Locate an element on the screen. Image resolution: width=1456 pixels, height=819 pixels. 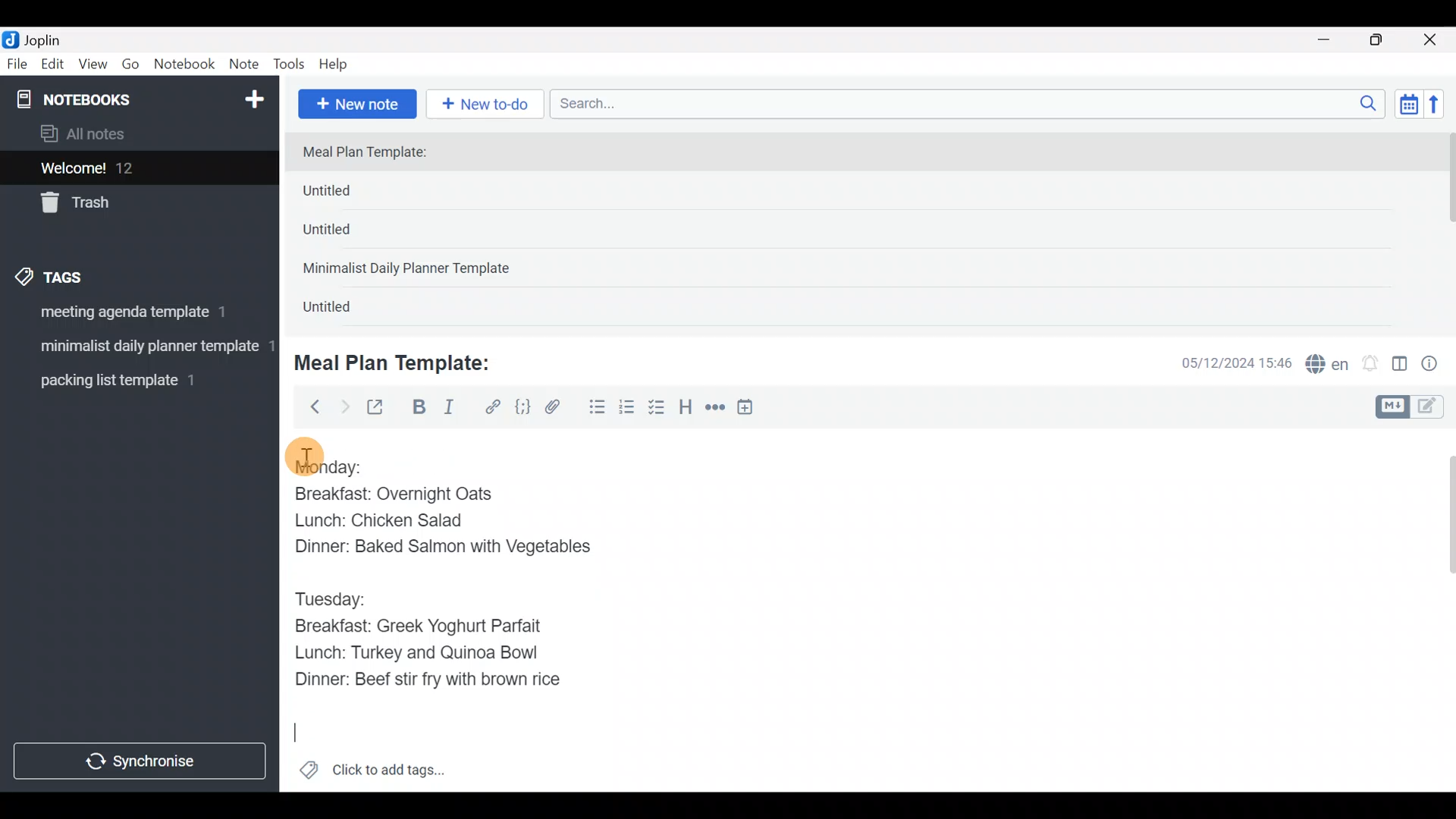
Click to add tags is located at coordinates (372, 775).